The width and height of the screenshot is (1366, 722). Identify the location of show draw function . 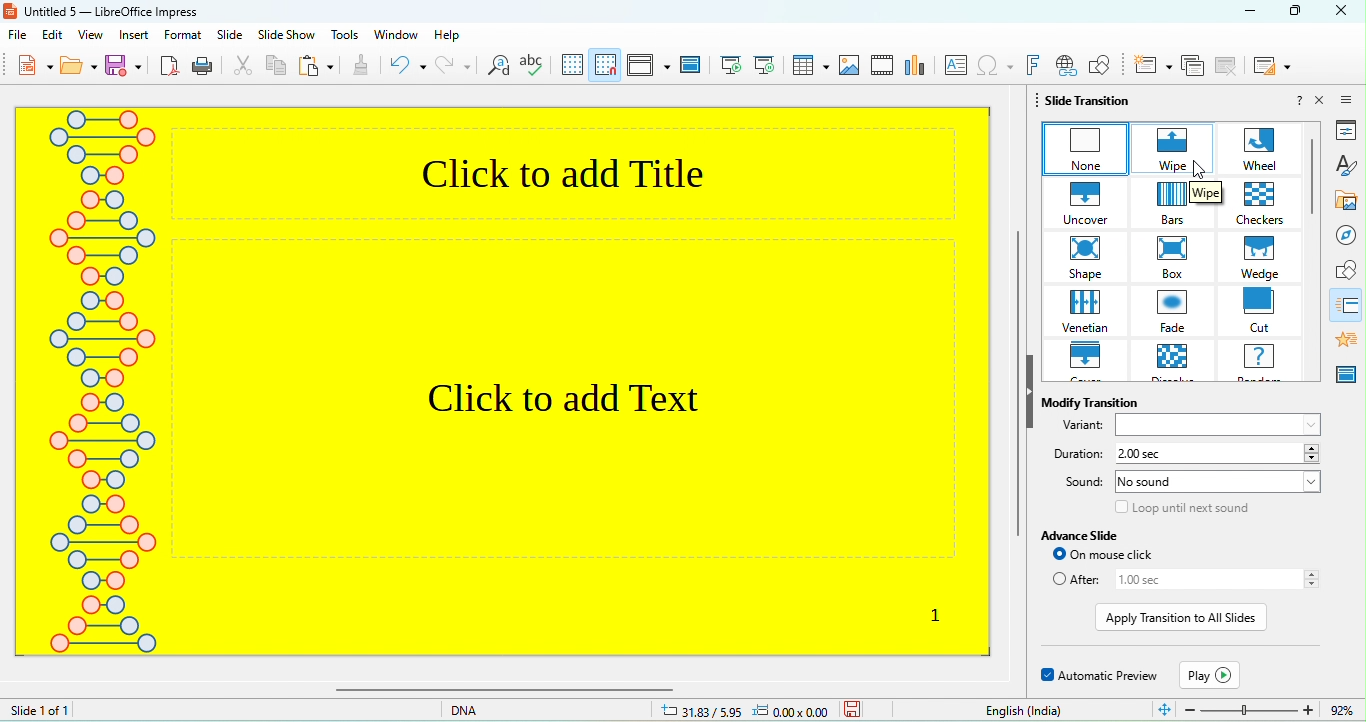
(1103, 64).